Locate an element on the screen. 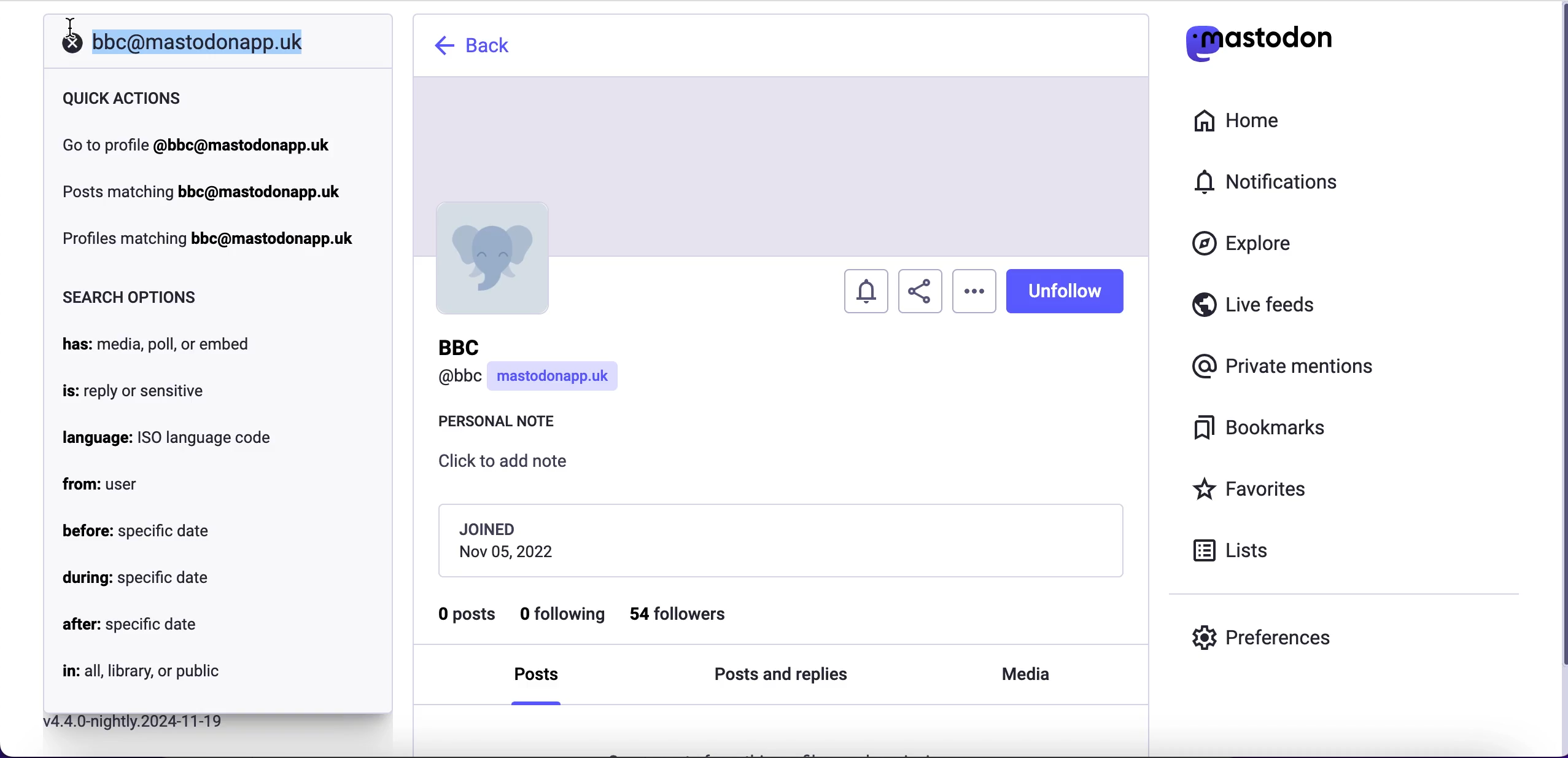 This screenshot has height=758, width=1568. during: specific date is located at coordinates (135, 579).